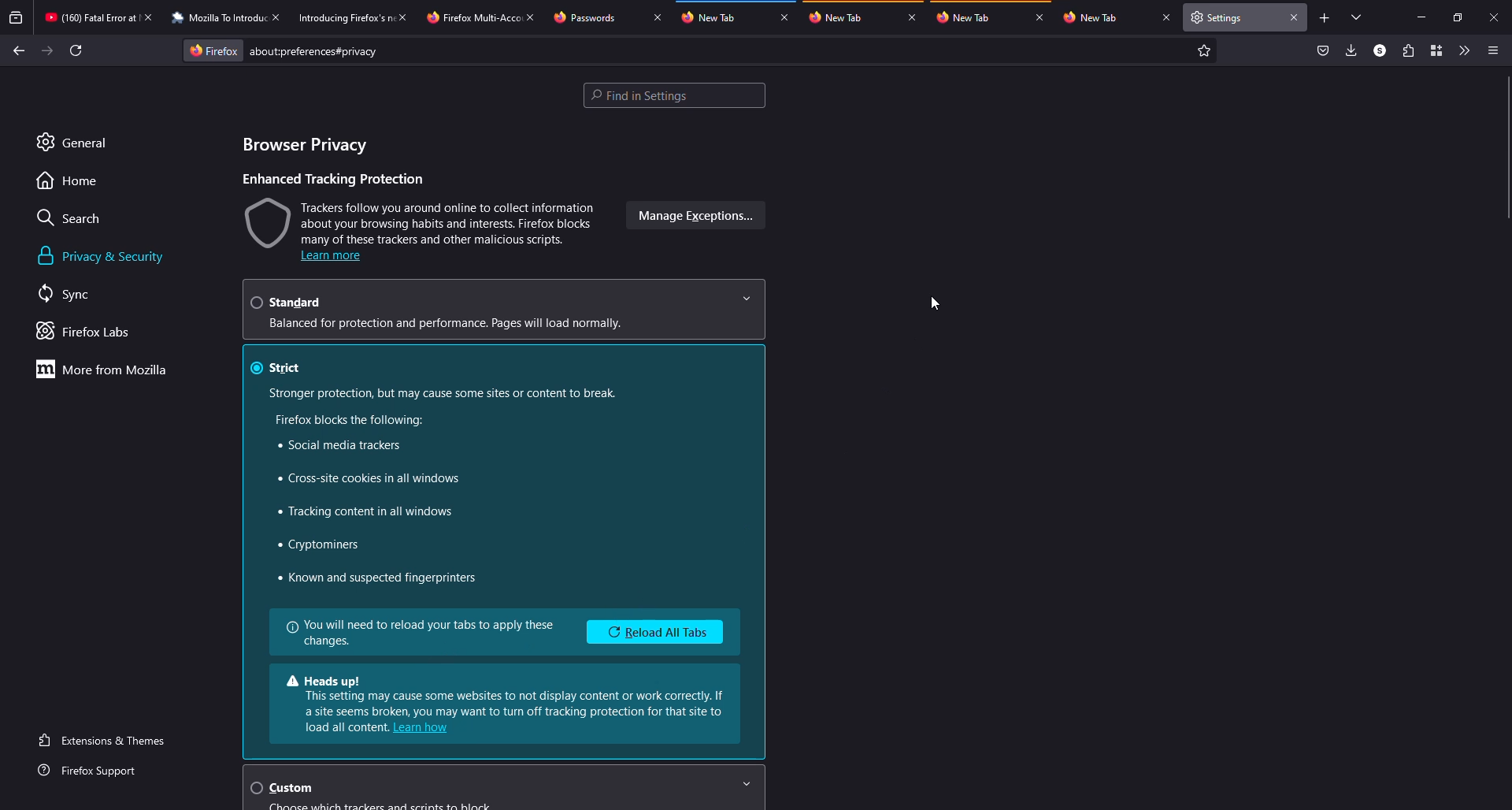 The width and height of the screenshot is (1512, 810). I want to click on enhanced protection, so click(333, 177).